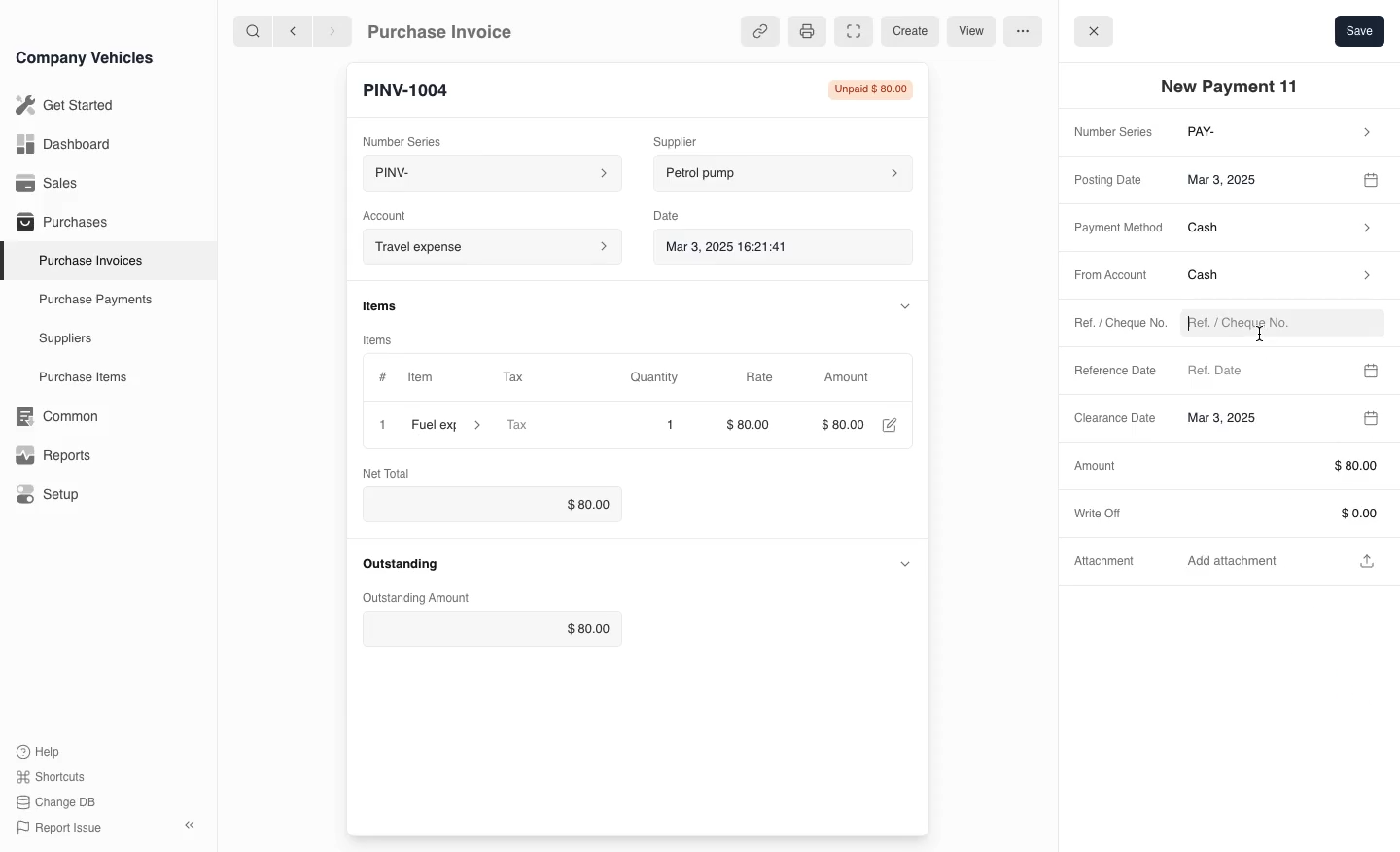 Image resolution: width=1400 pixels, height=852 pixels. I want to click on items, so click(390, 304).